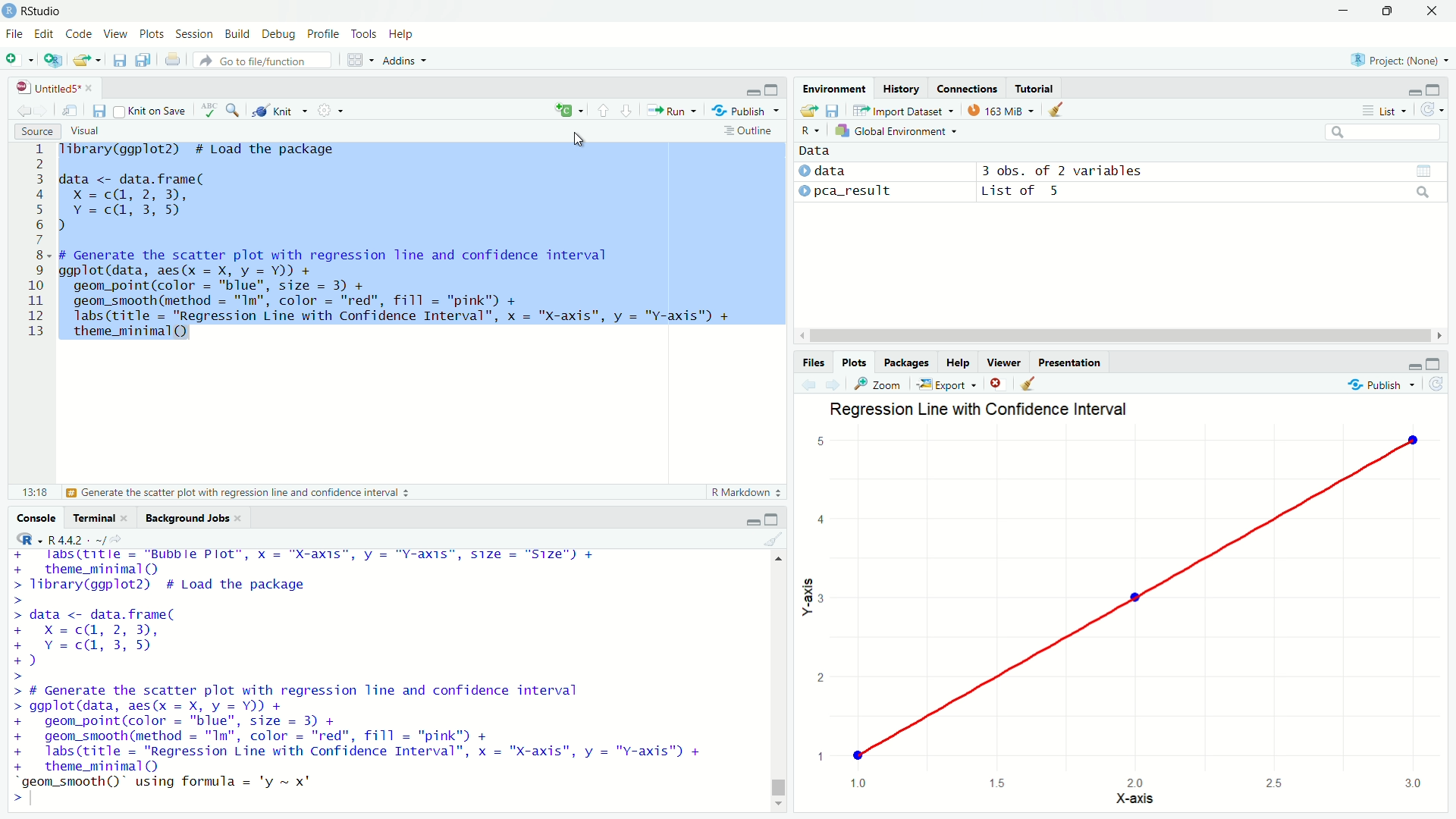 Image resolution: width=1456 pixels, height=819 pixels. I want to click on Save all open documents, so click(144, 59).